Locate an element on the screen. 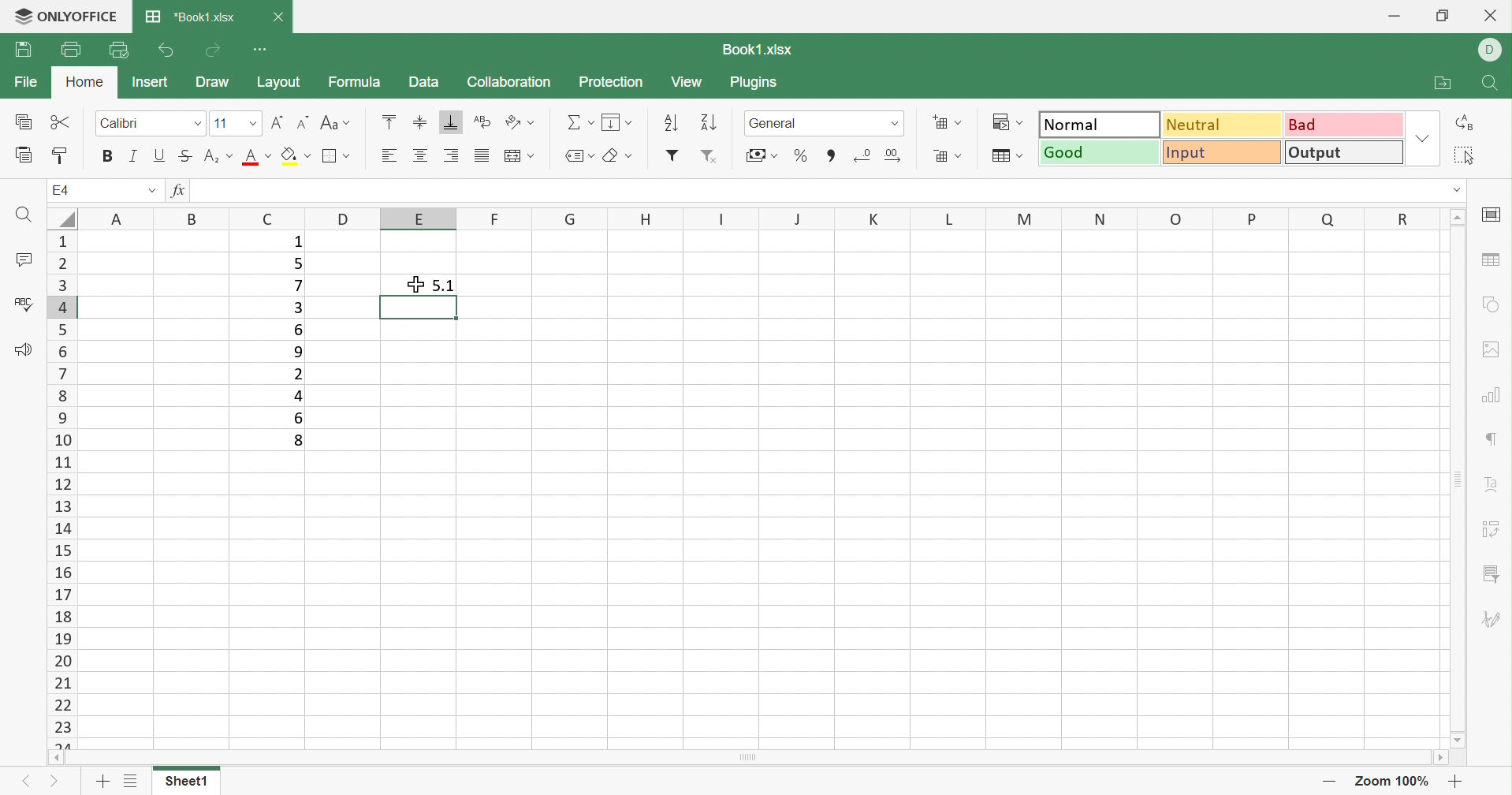  Shape settings is located at coordinates (1490, 295).